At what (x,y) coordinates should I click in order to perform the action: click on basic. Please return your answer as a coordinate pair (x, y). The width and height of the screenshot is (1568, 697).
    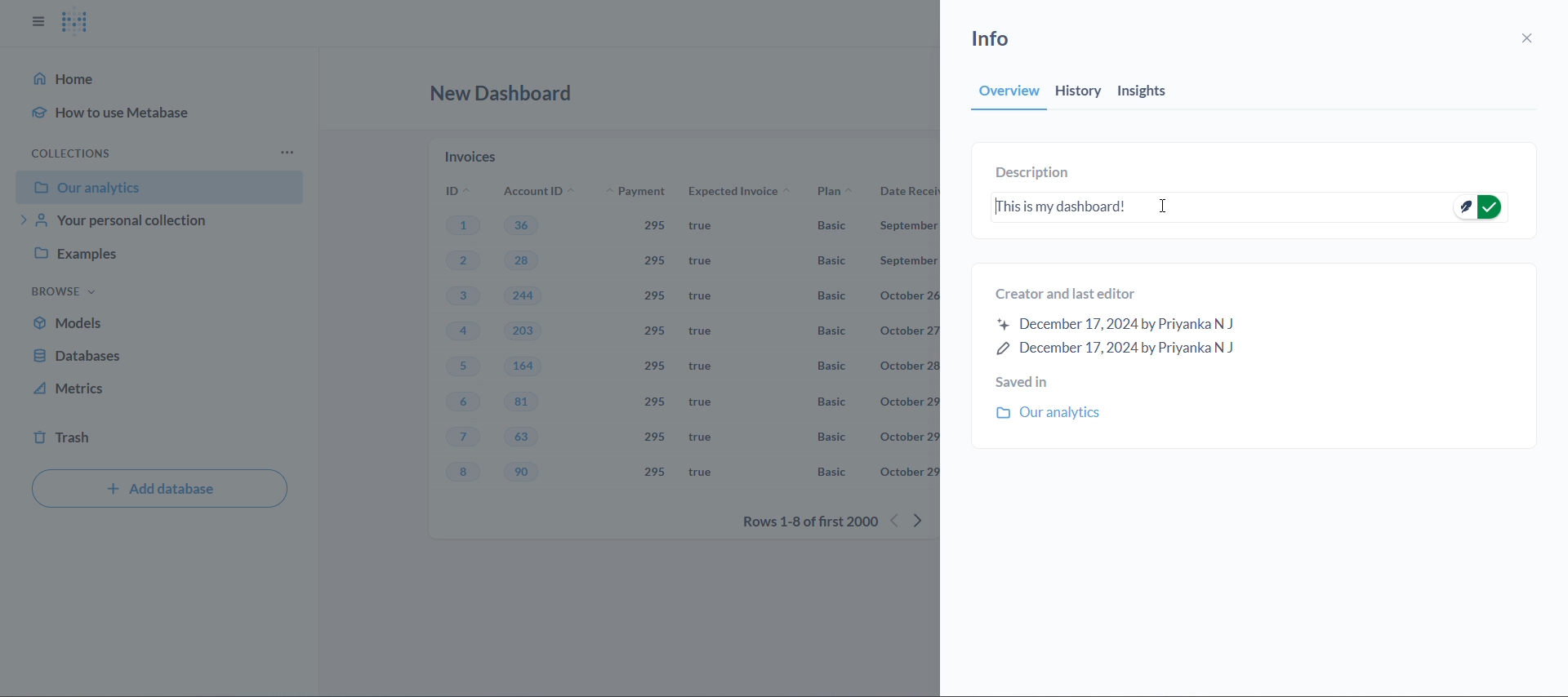
    Looking at the image, I should click on (831, 263).